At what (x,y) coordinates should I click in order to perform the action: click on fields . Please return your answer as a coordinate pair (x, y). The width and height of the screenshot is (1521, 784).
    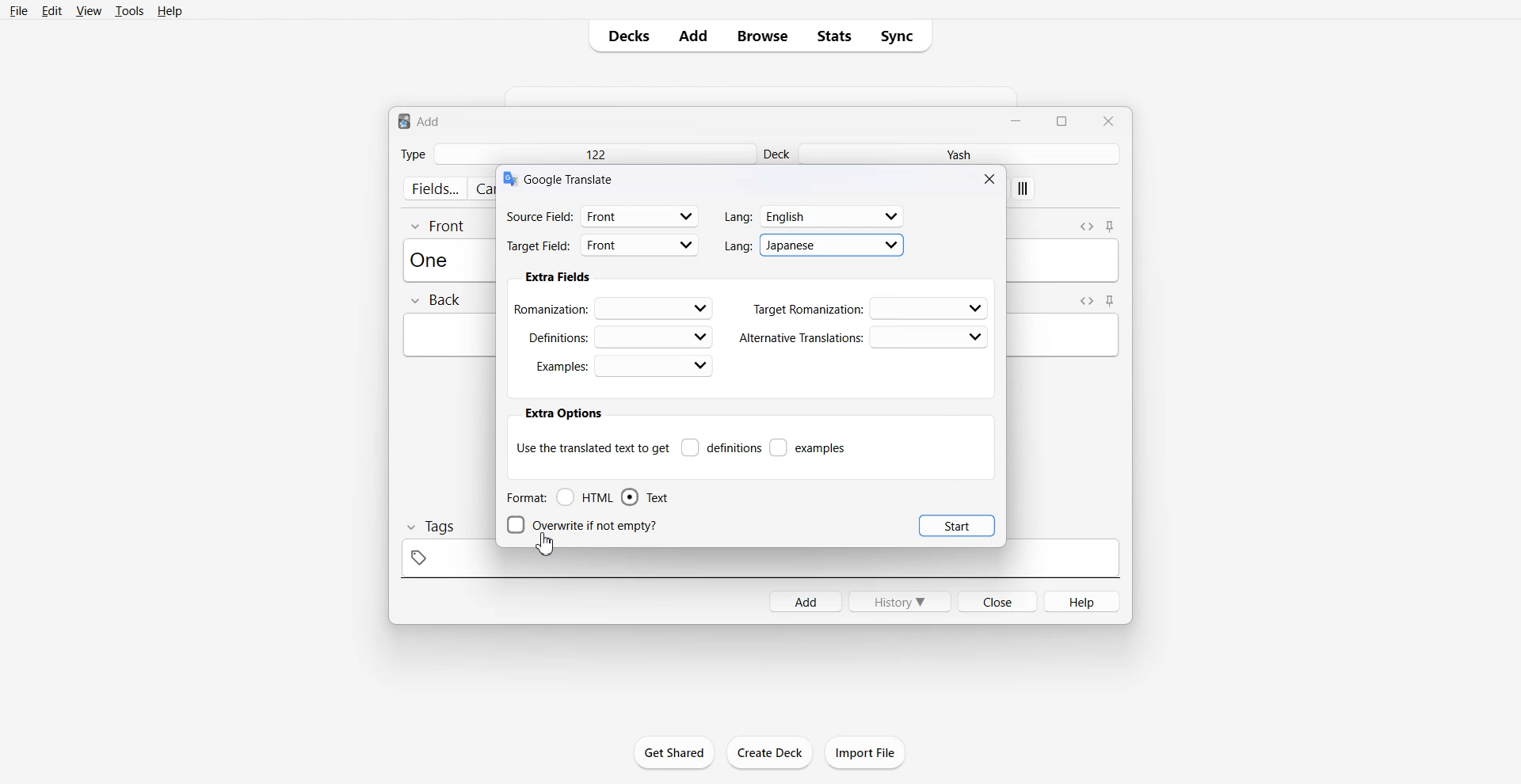
    Looking at the image, I should click on (434, 188).